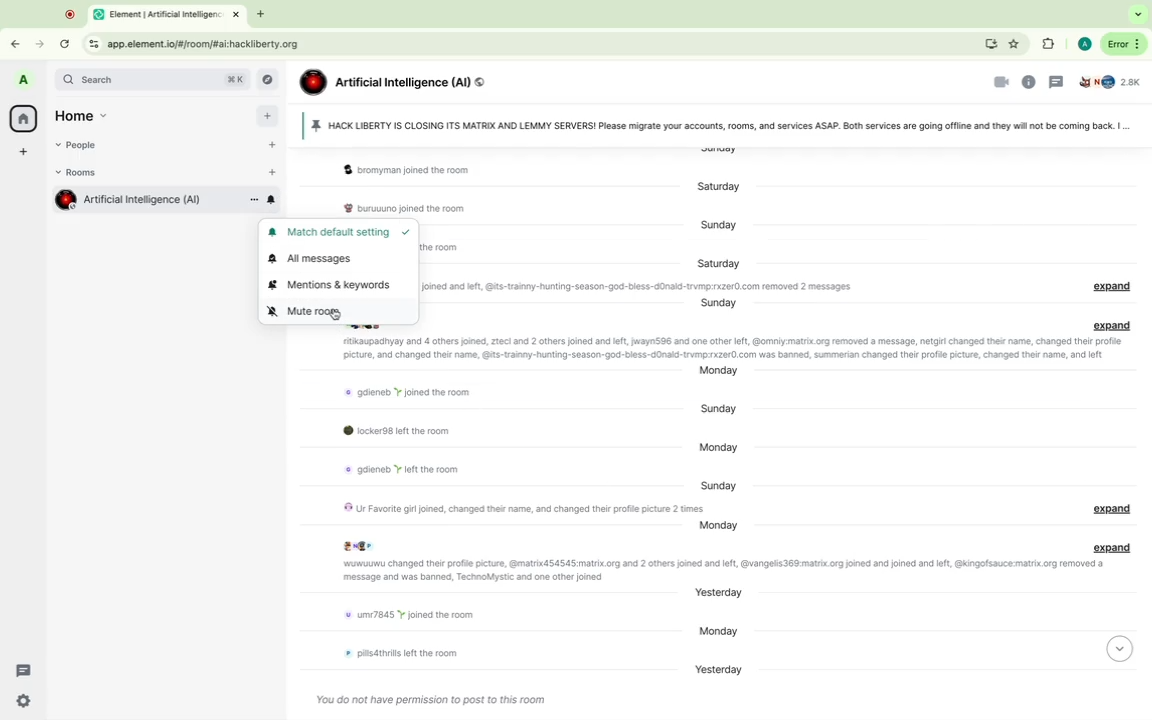  What do you see at coordinates (1122, 651) in the screenshot?
I see `Down` at bounding box center [1122, 651].